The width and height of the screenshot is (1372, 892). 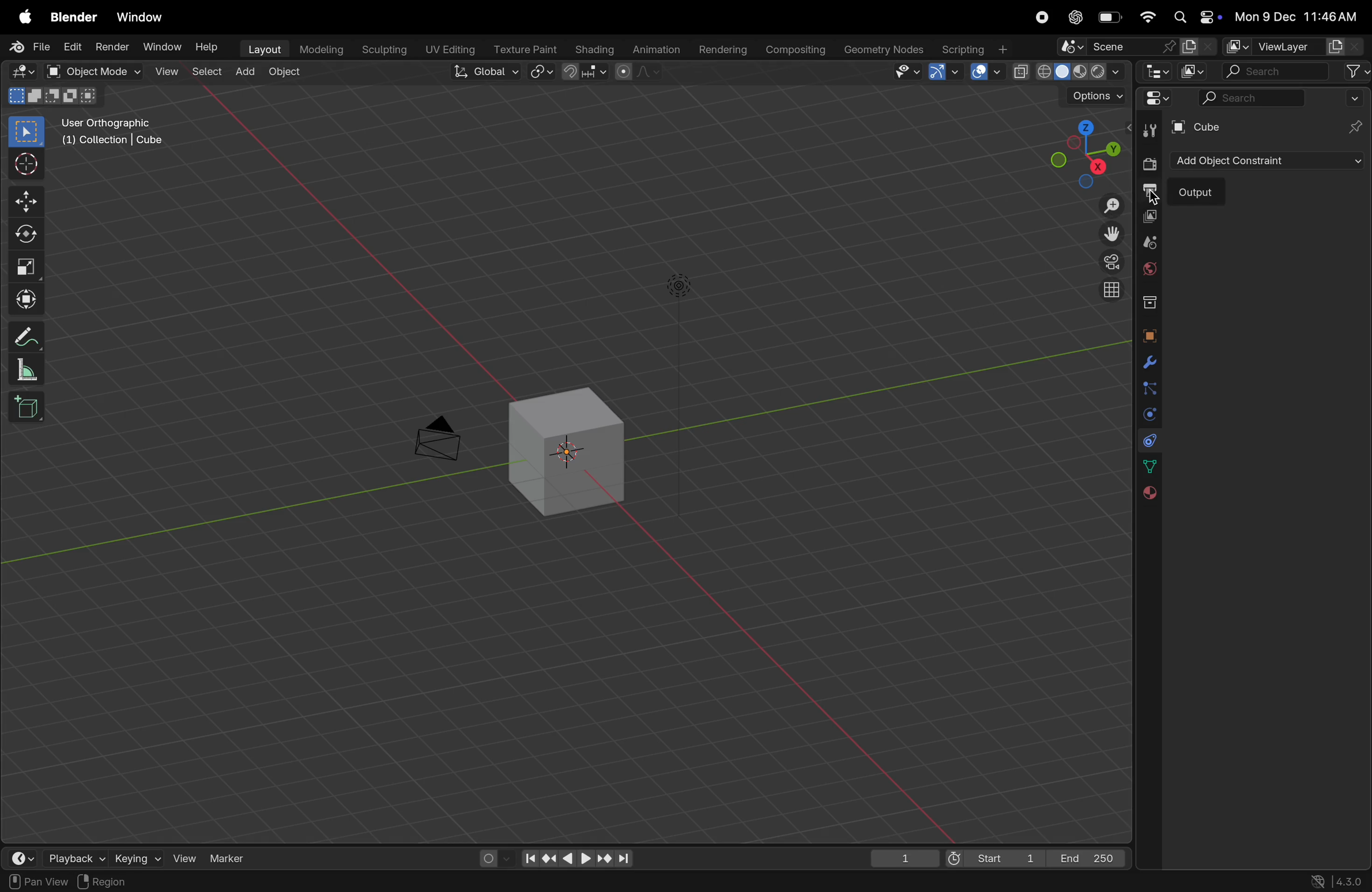 I want to click on show gimzo, so click(x=943, y=72).